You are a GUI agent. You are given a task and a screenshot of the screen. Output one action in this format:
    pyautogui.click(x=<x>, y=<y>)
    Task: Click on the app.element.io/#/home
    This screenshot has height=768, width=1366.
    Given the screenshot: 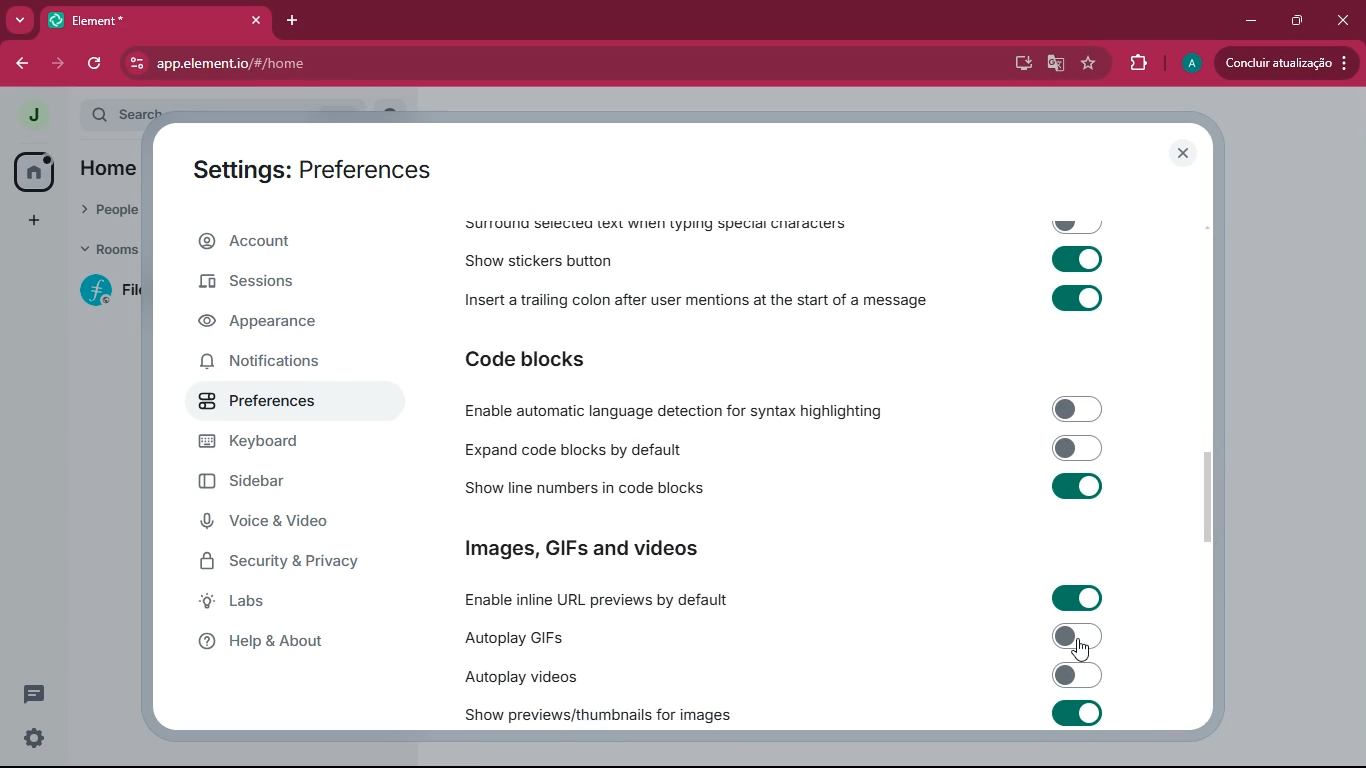 What is the action you would take?
    pyautogui.click(x=289, y=63)
    